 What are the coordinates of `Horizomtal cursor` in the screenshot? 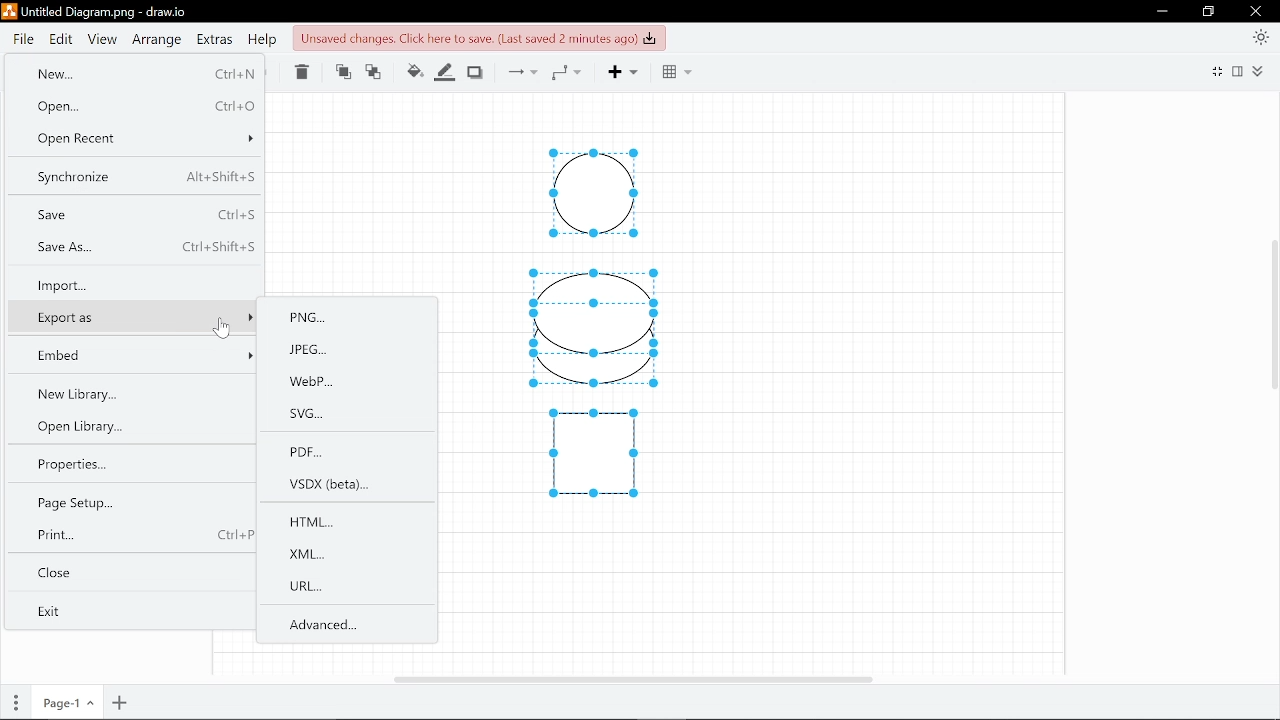 It's located at (632, 678).